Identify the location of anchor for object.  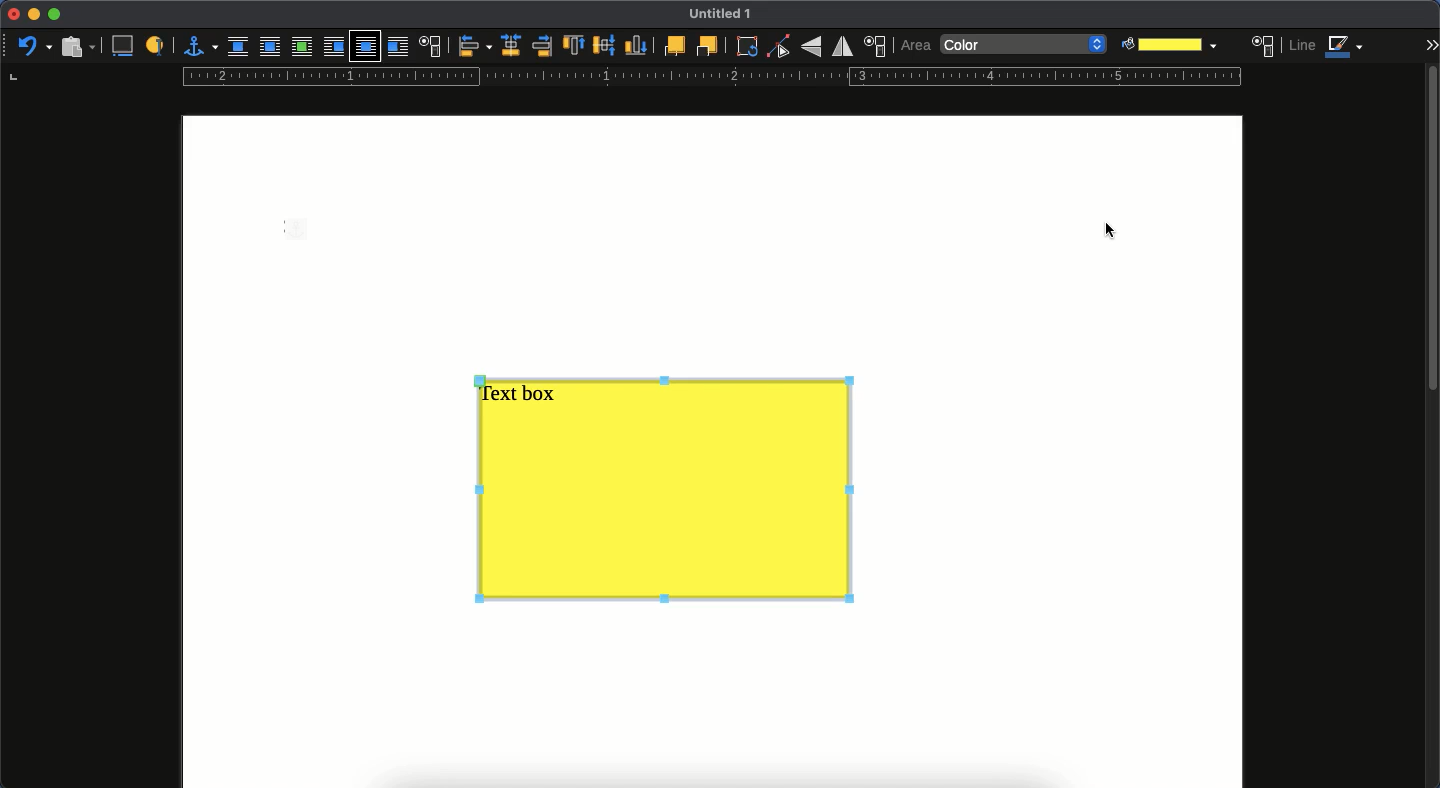
(200, 45).